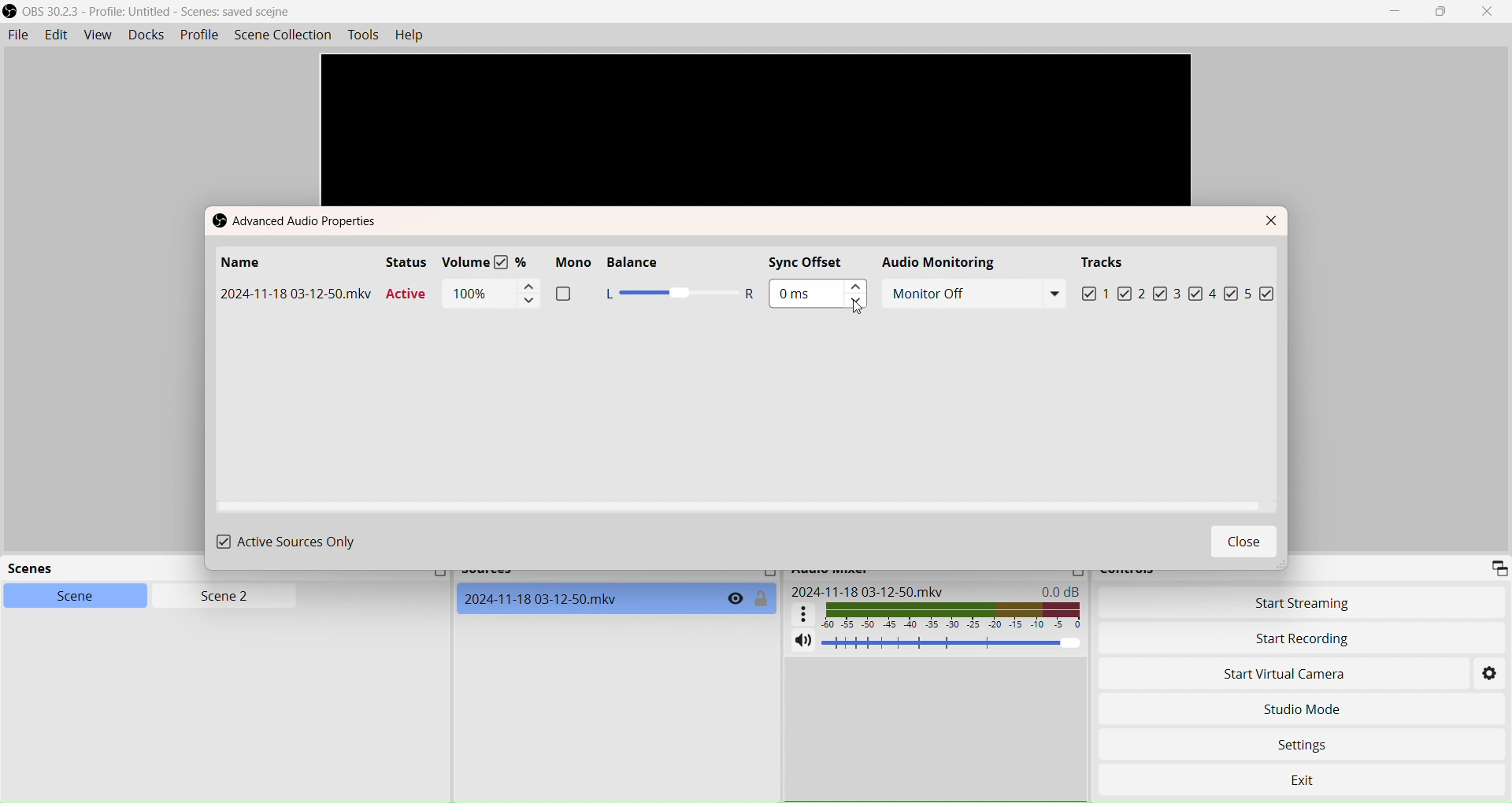  What do you see at coordinates (1187, 294) in the screenshot?
I see `3` at bounding box center [1187, 294].